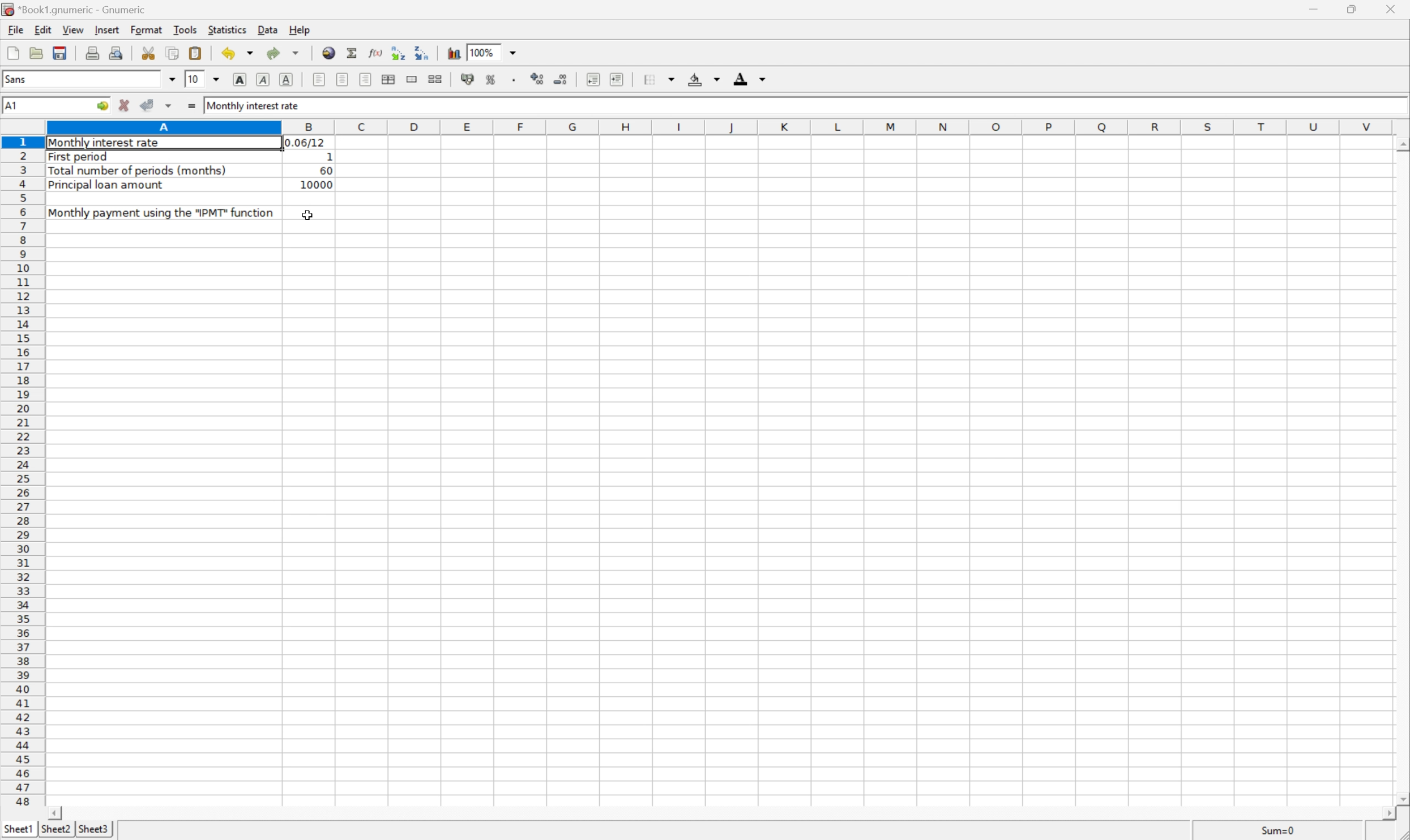  I want to click on Column names, so click(719, 128).